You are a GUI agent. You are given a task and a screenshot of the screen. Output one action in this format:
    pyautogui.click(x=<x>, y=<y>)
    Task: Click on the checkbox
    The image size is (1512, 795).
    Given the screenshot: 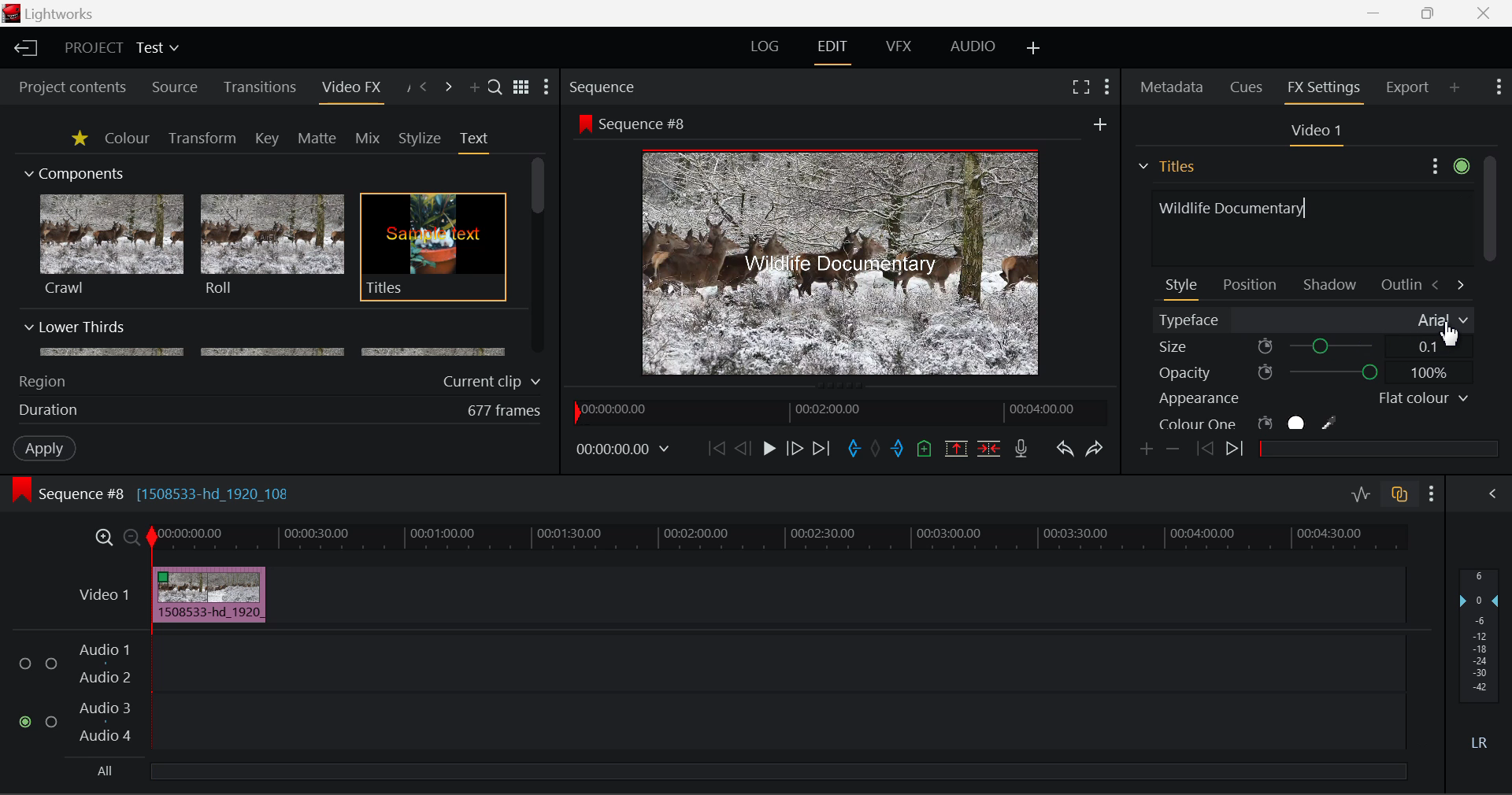 What is the action you would take?
    pyautogui.click(x=54, y=723)
    